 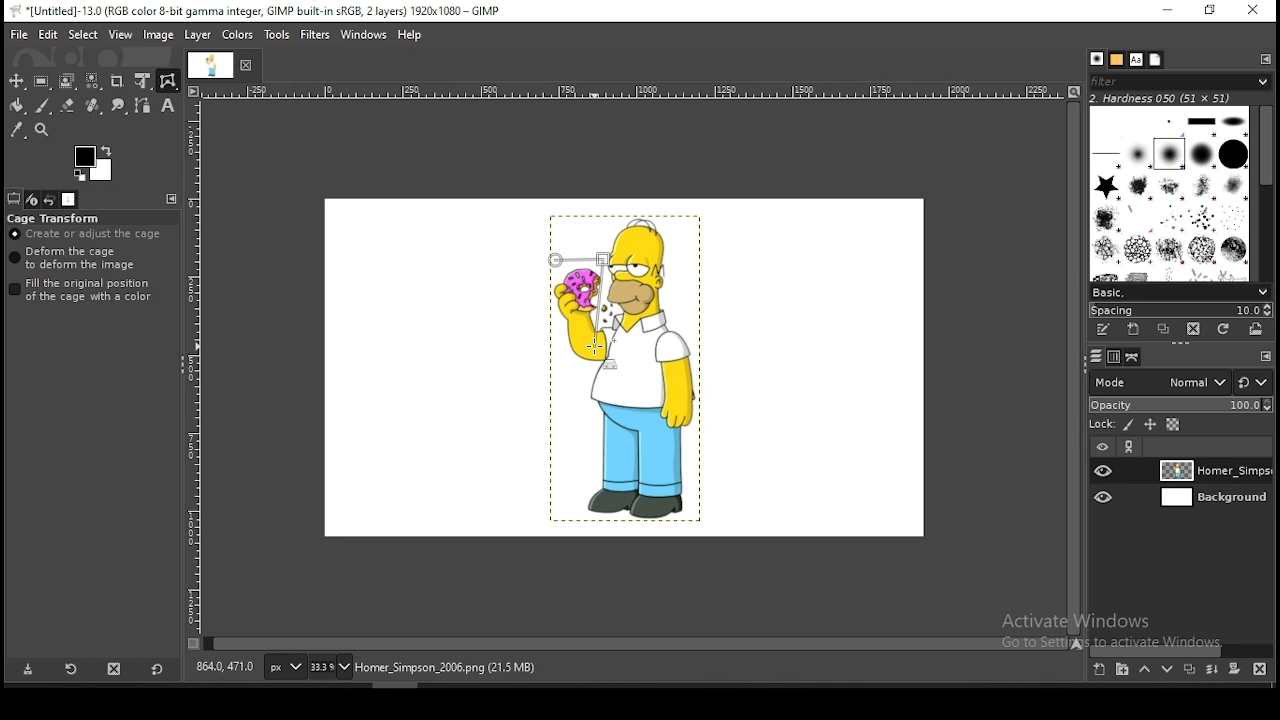 What do you see at coordinates (42, 81) in the screenshot?
I see `rectangle select tool` at bounding box center [42, 81].